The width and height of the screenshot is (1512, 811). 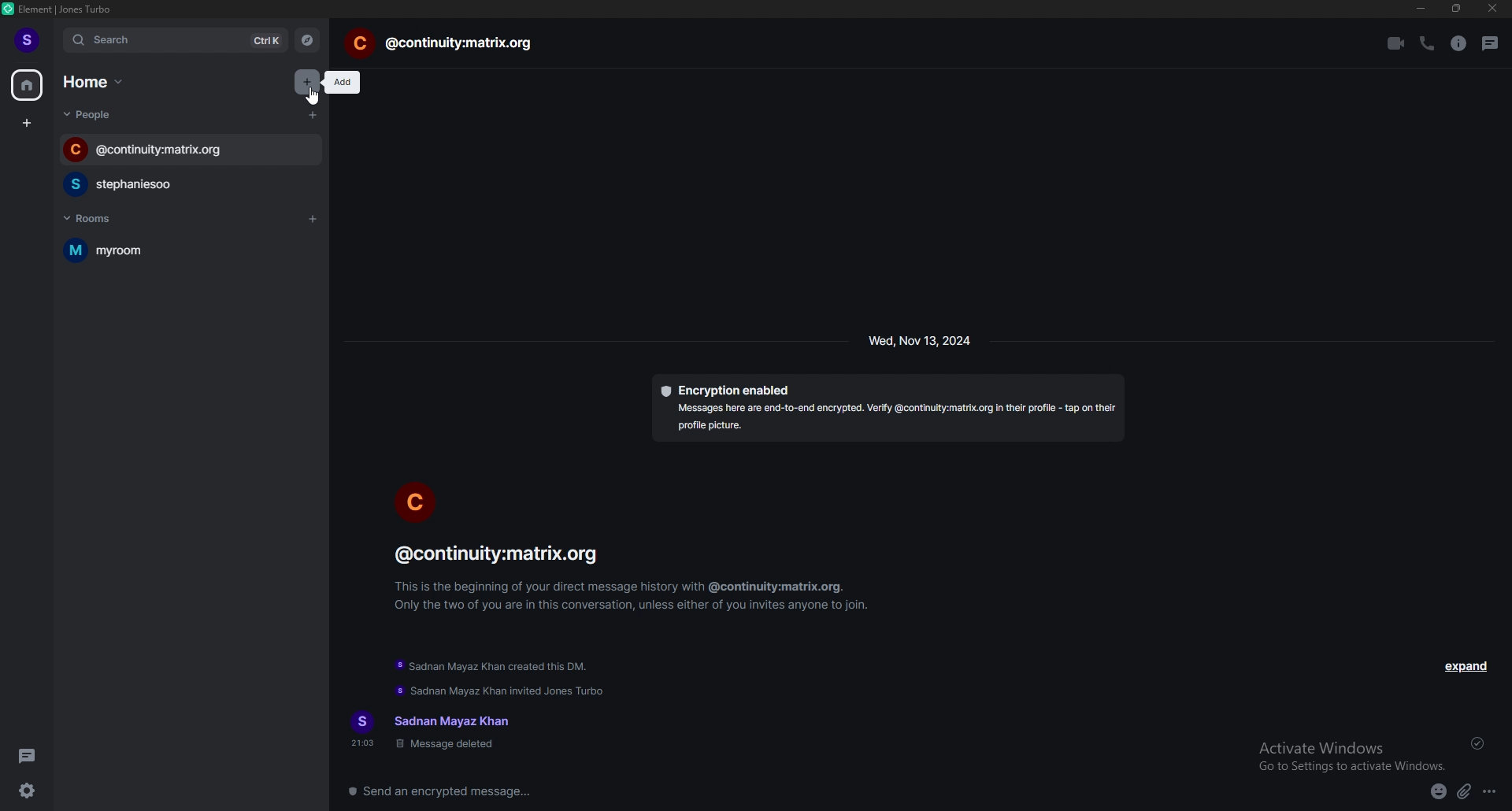 I want to click on cursor, so click(x=314, y=97).